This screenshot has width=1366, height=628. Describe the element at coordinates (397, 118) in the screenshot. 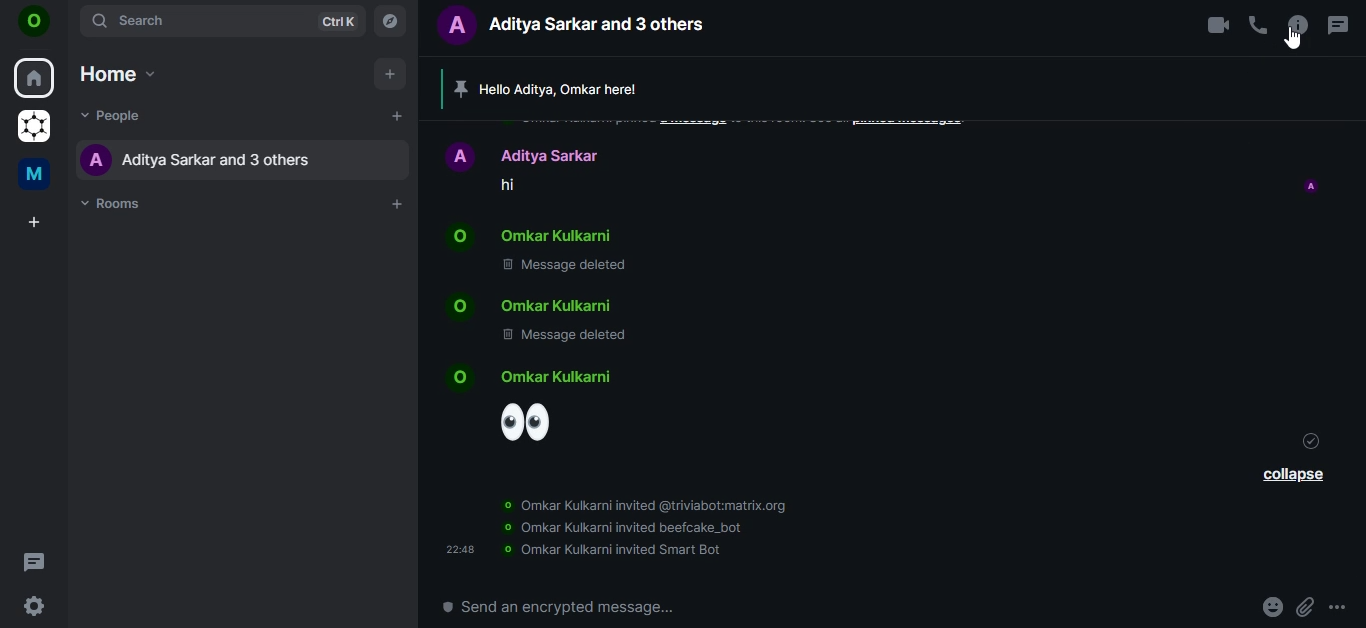

I see `add` at that location.